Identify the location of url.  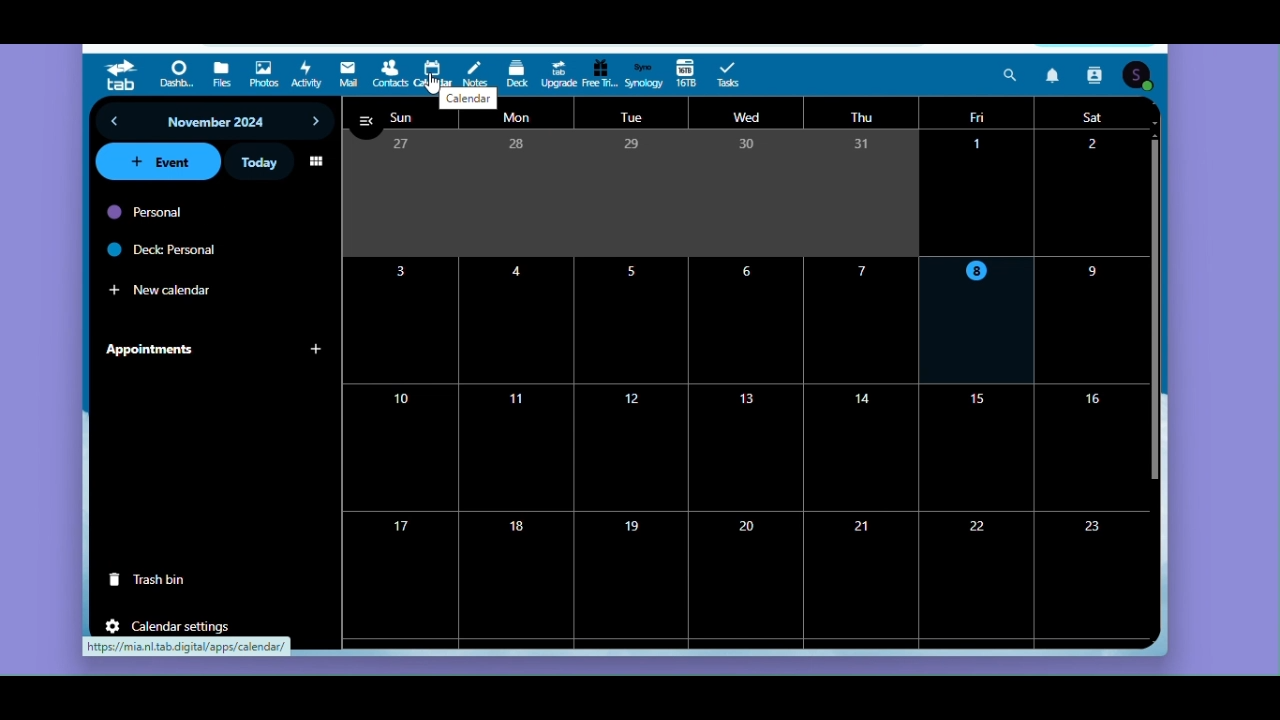
(306, 1583).